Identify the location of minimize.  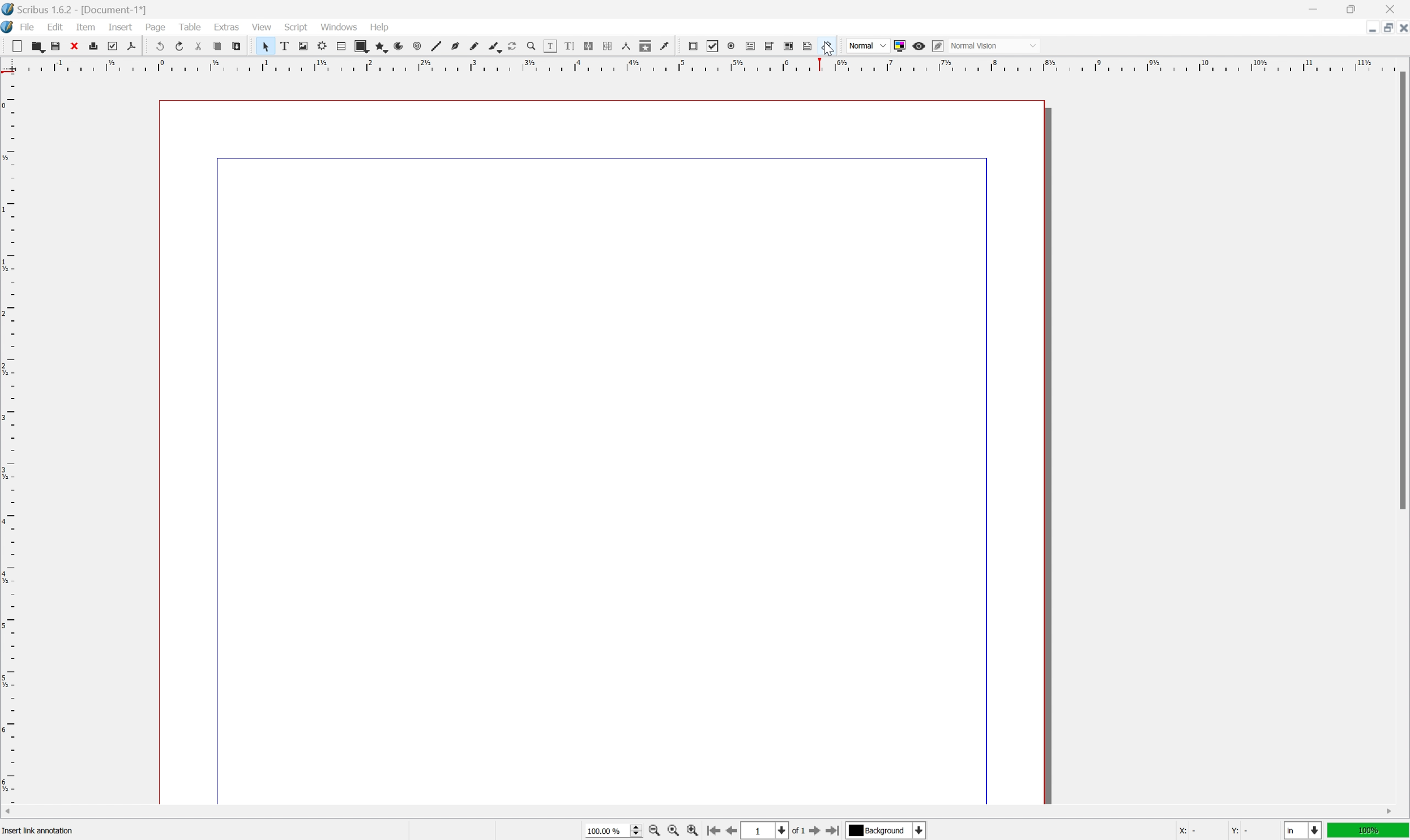
(1369, 29).